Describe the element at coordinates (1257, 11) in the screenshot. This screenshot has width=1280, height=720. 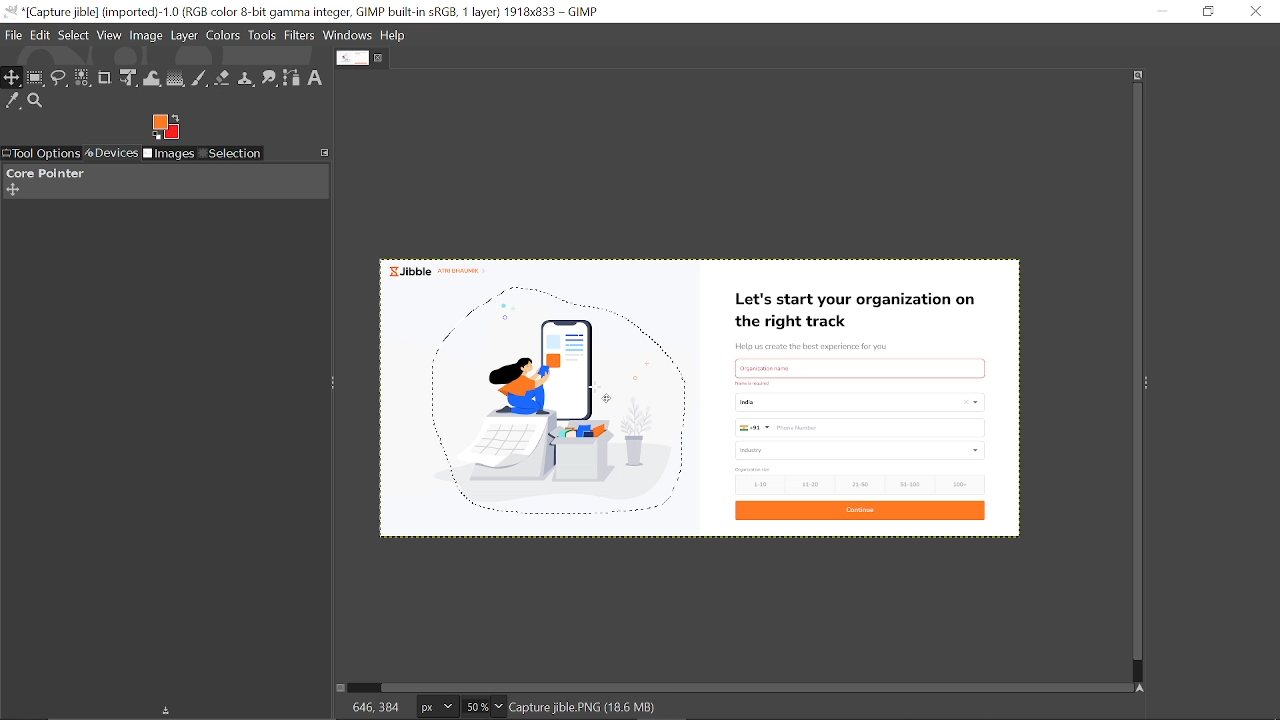
I see `Close` at that location.